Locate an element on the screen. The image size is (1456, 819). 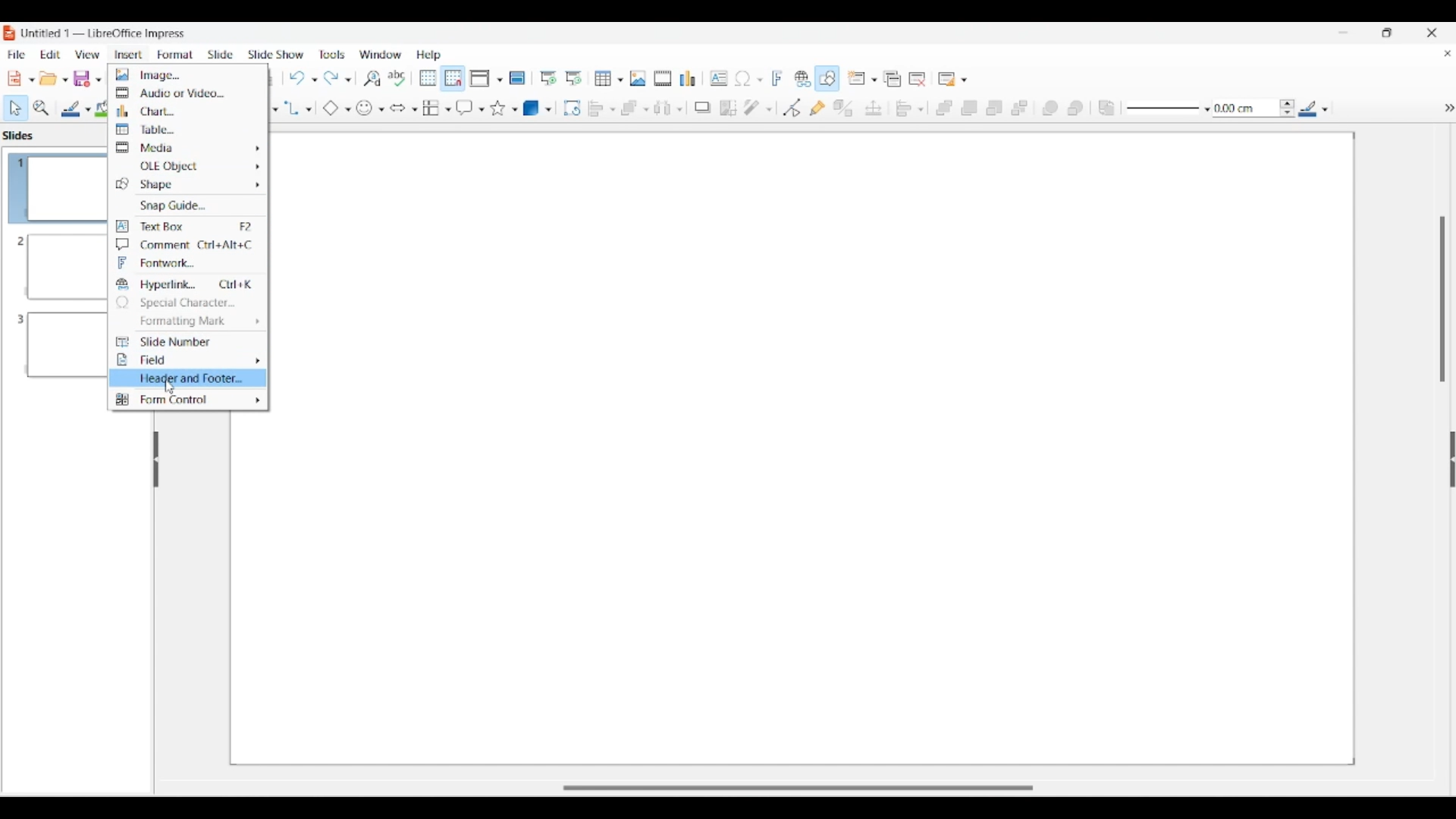
Chart is located at coordinates (188, 111).